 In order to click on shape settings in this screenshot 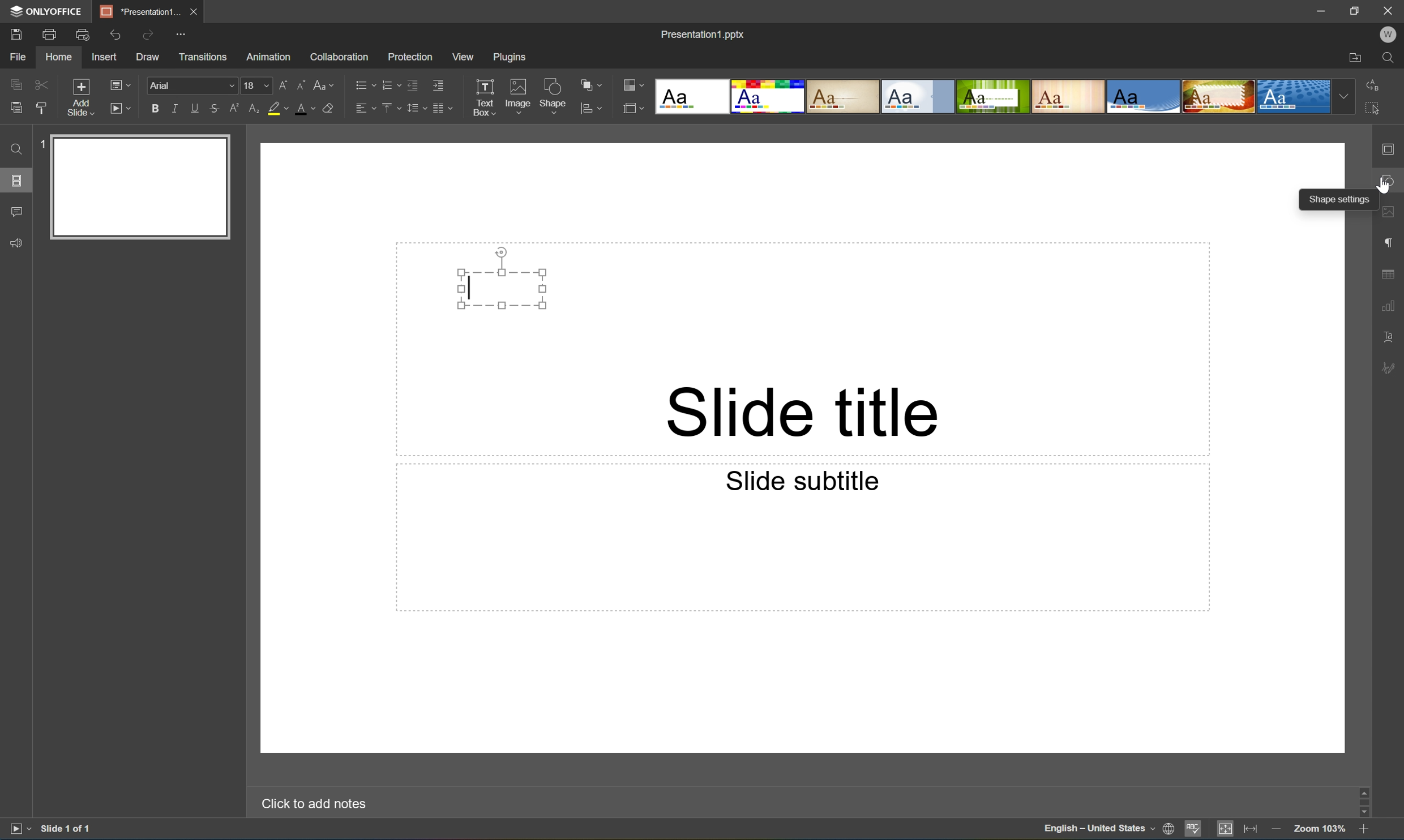, I will do `click(1390, 181)`.